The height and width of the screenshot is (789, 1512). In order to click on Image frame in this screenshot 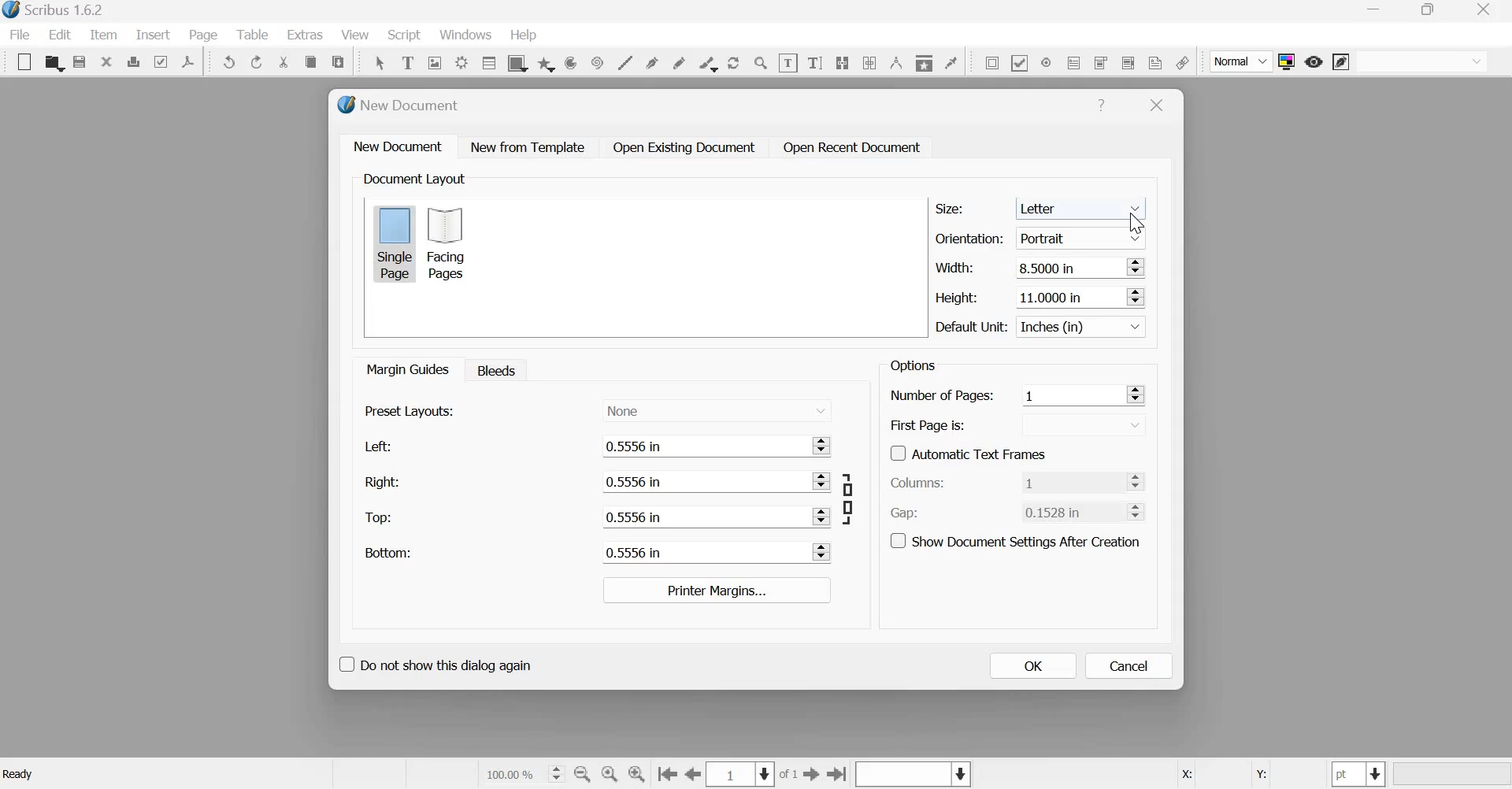, I will do `click(435, 61)`.